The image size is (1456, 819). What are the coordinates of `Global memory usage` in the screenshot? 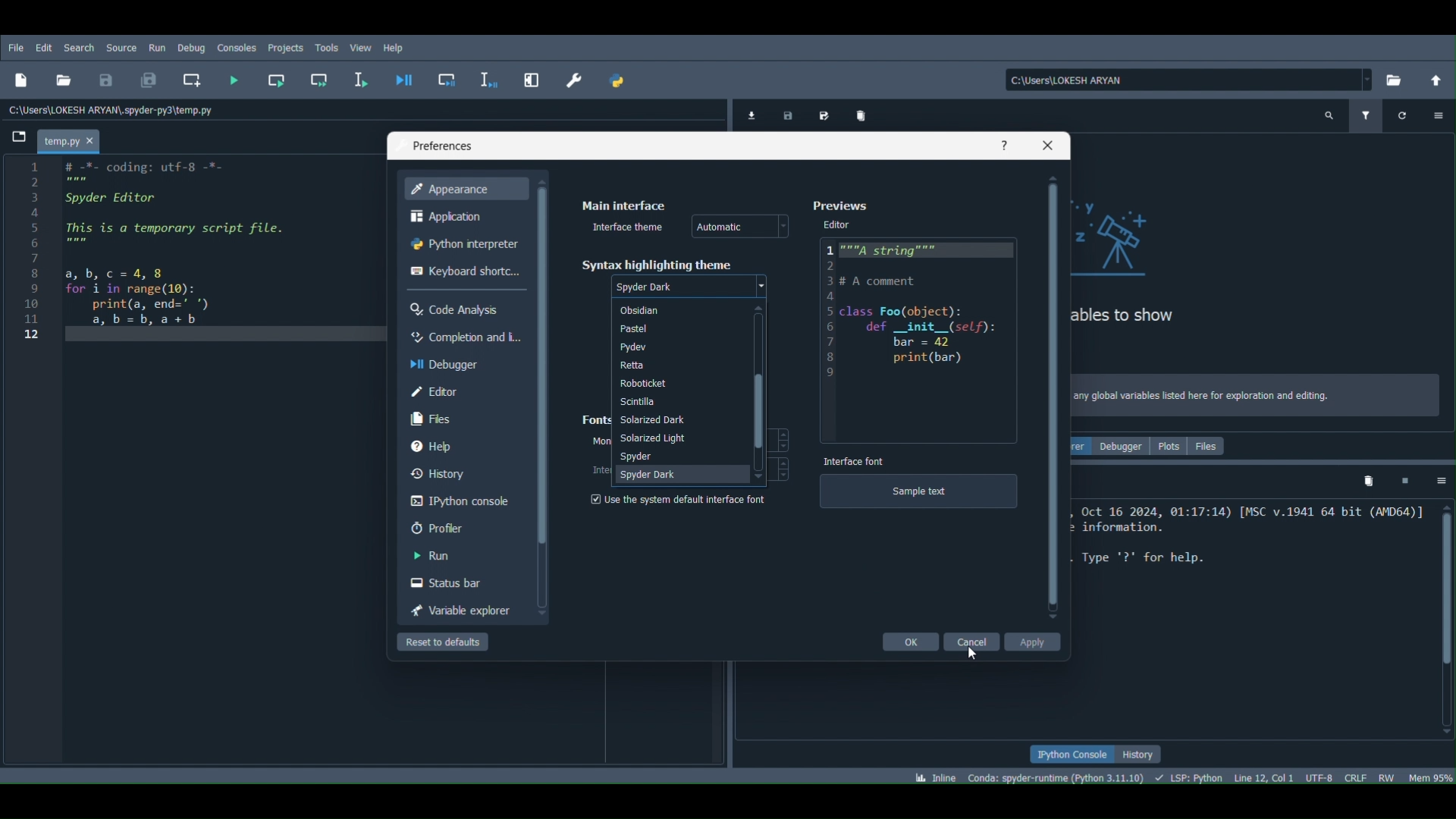 It's located at (1430, 774).